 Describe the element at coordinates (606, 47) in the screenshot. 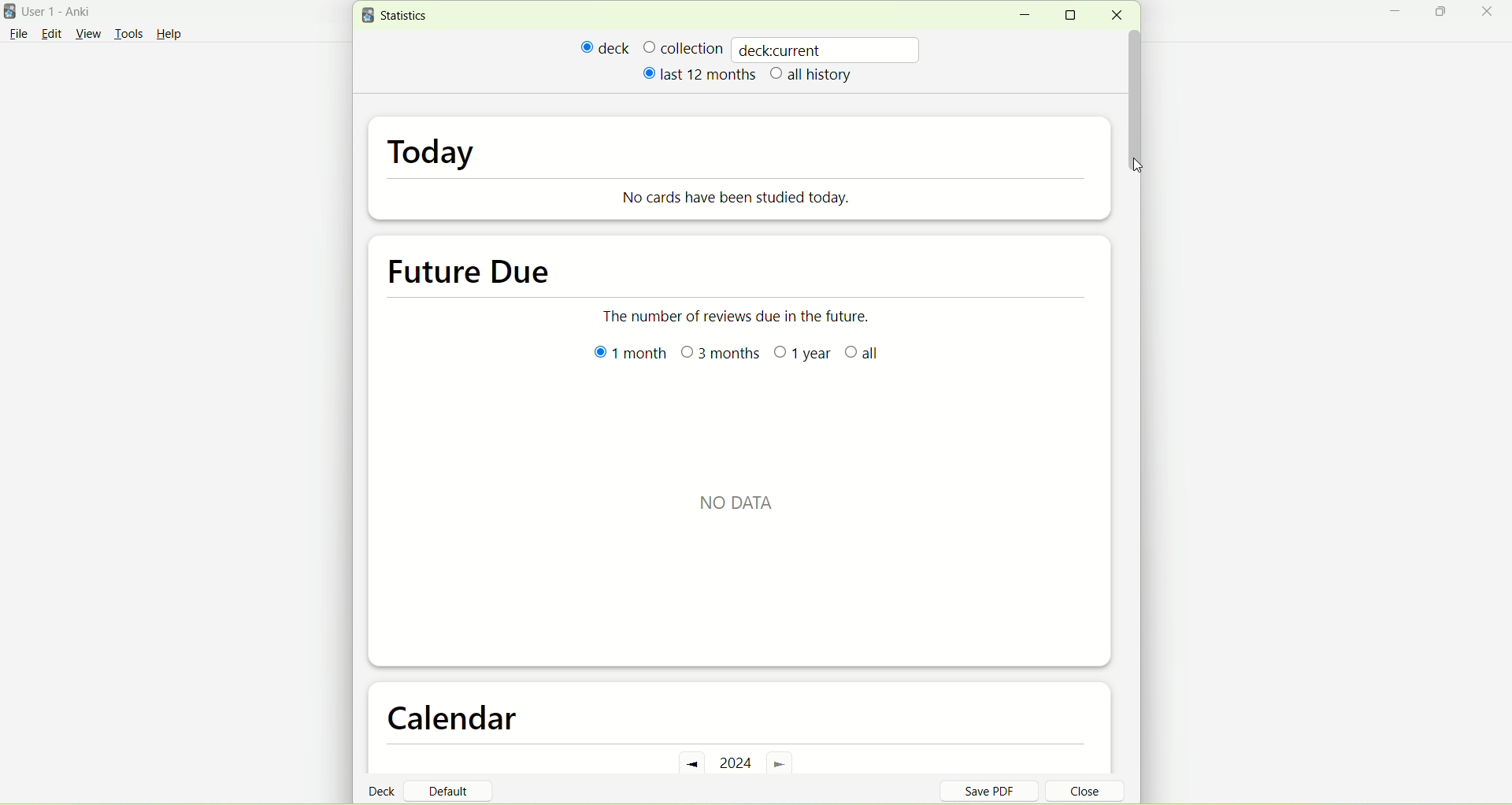

I see `deck` at that location.